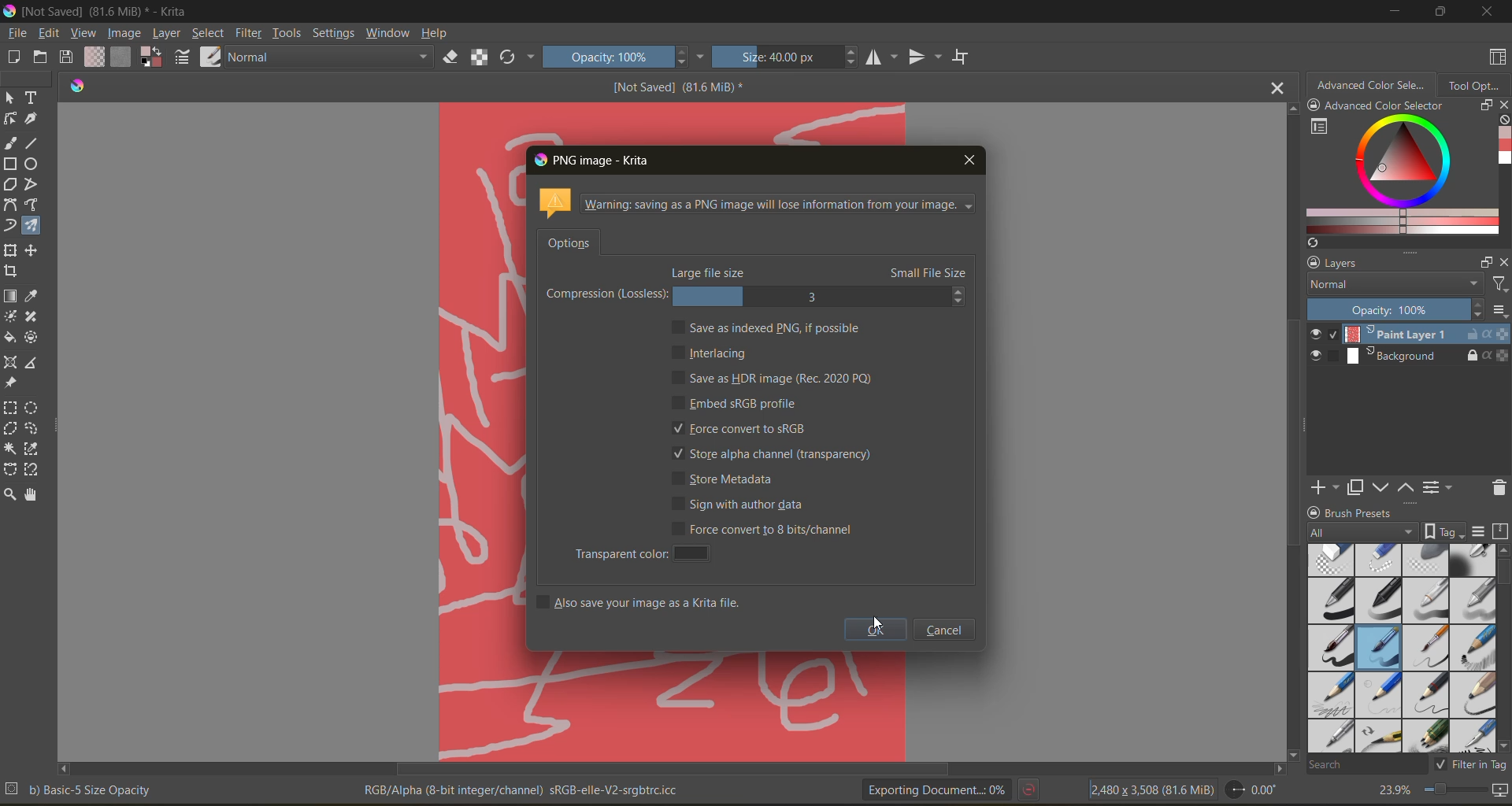  Describe the element at coordinates (524, 790) in the screenshot. I see `metadata` at that location.